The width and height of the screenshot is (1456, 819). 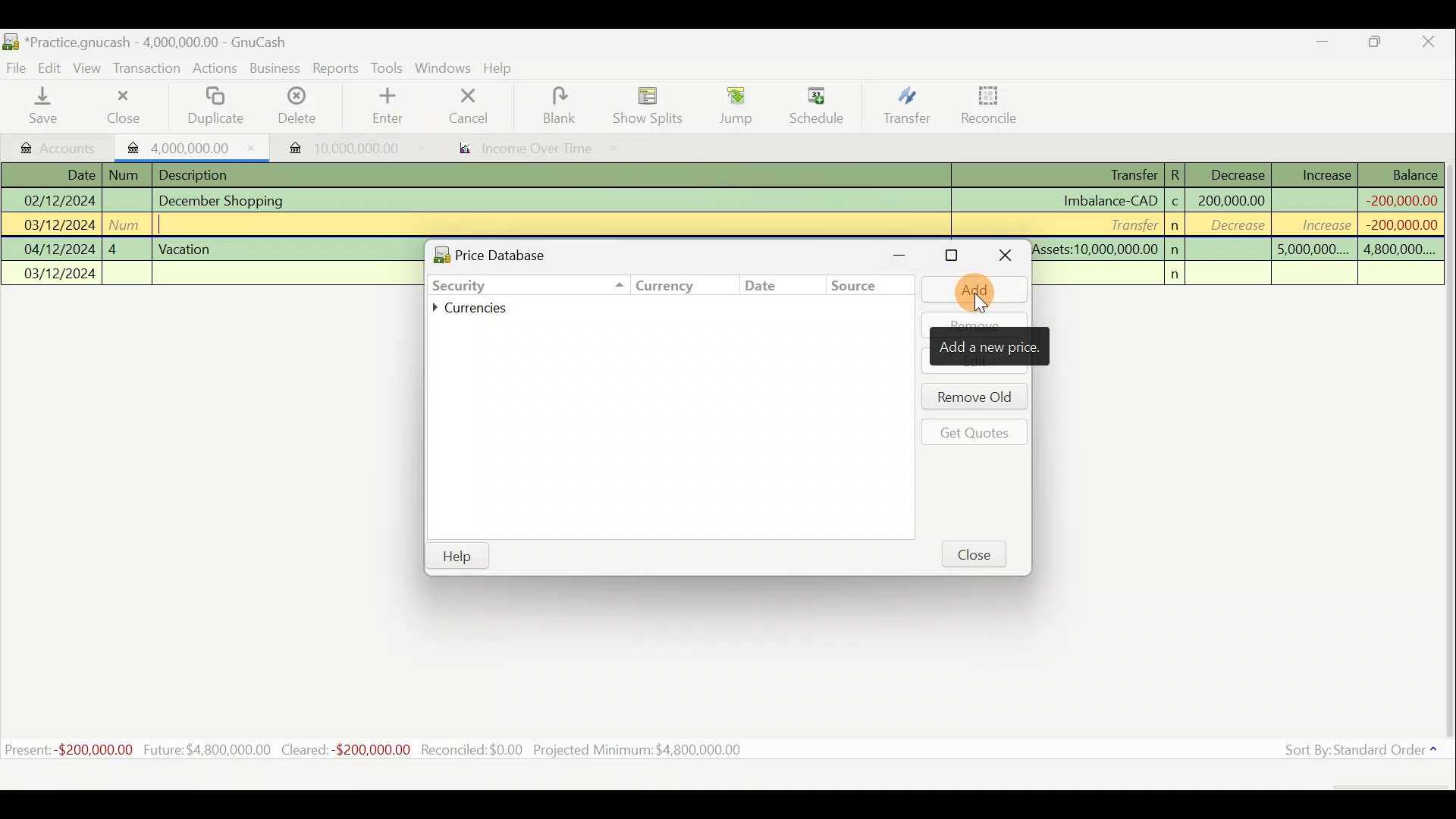 I want to click on Close, so click(x=975, y=554).